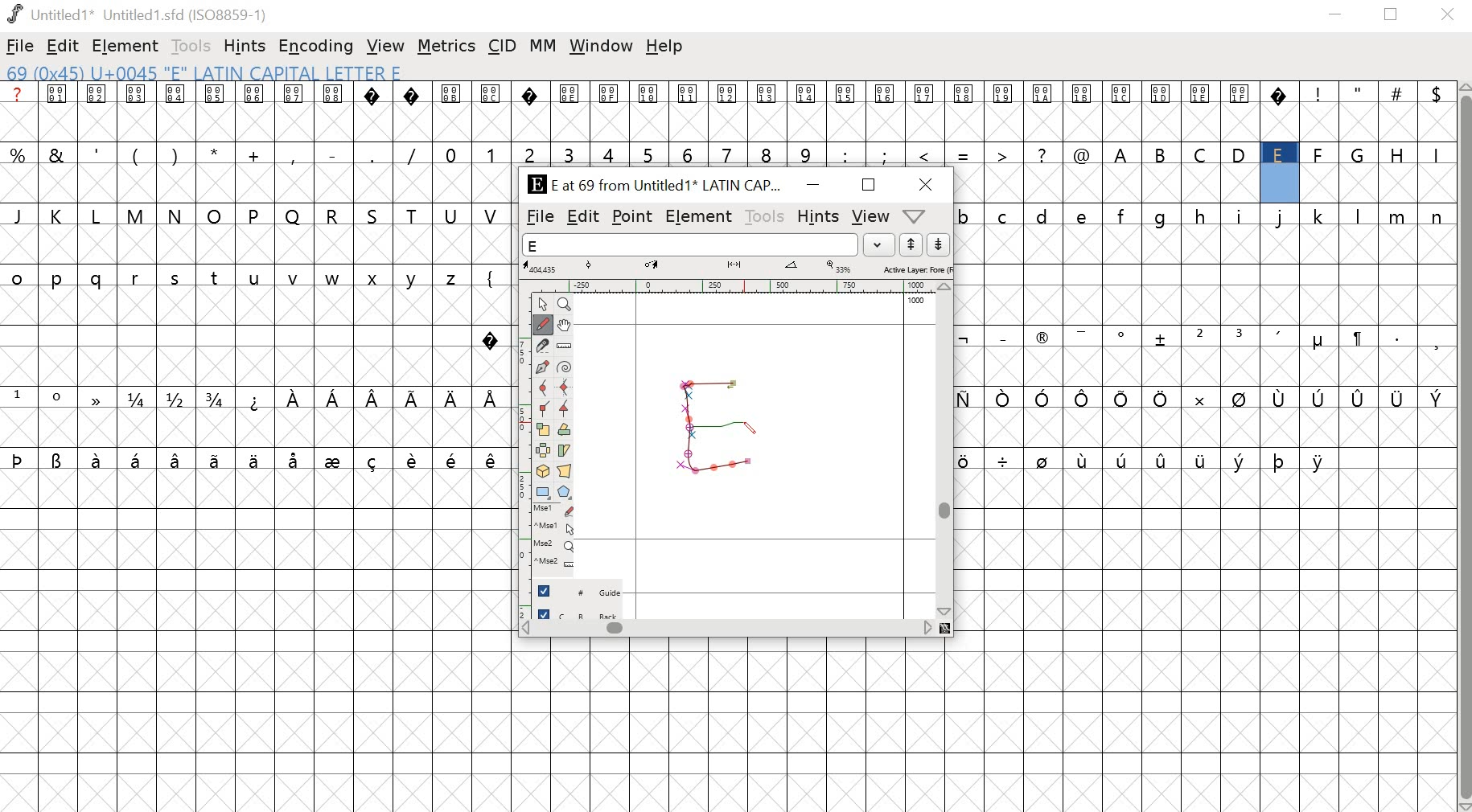 This screenshot has height=812, width=1472. Describe the element at coordinates (563, 409) in the screenshot. I see `Tangent` at that location.